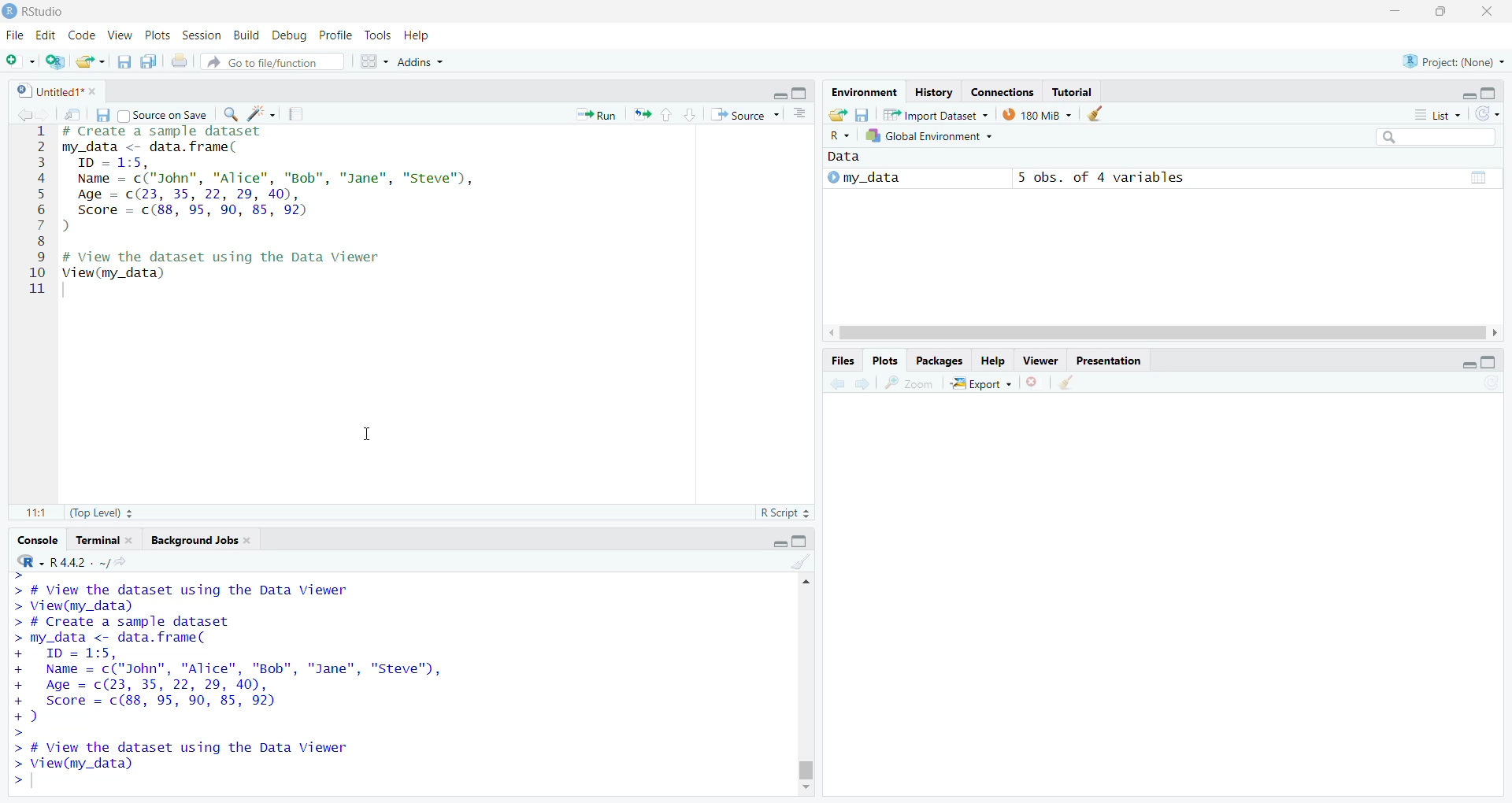 This screenshot has width=1512, height=803. I want to click on Debug, so click(290, 36).